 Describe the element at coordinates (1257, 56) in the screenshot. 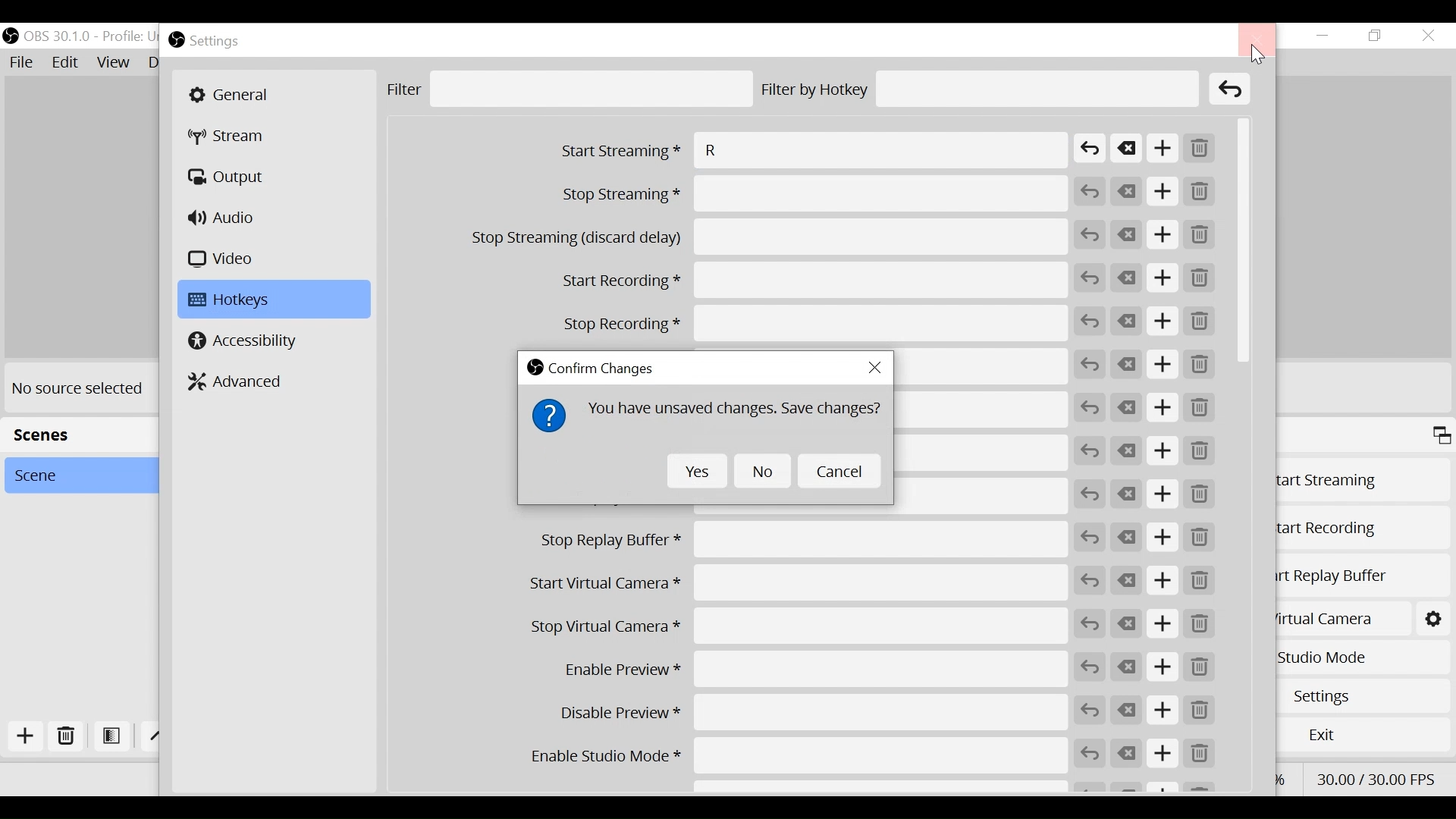

I see `Cursor` at that location.